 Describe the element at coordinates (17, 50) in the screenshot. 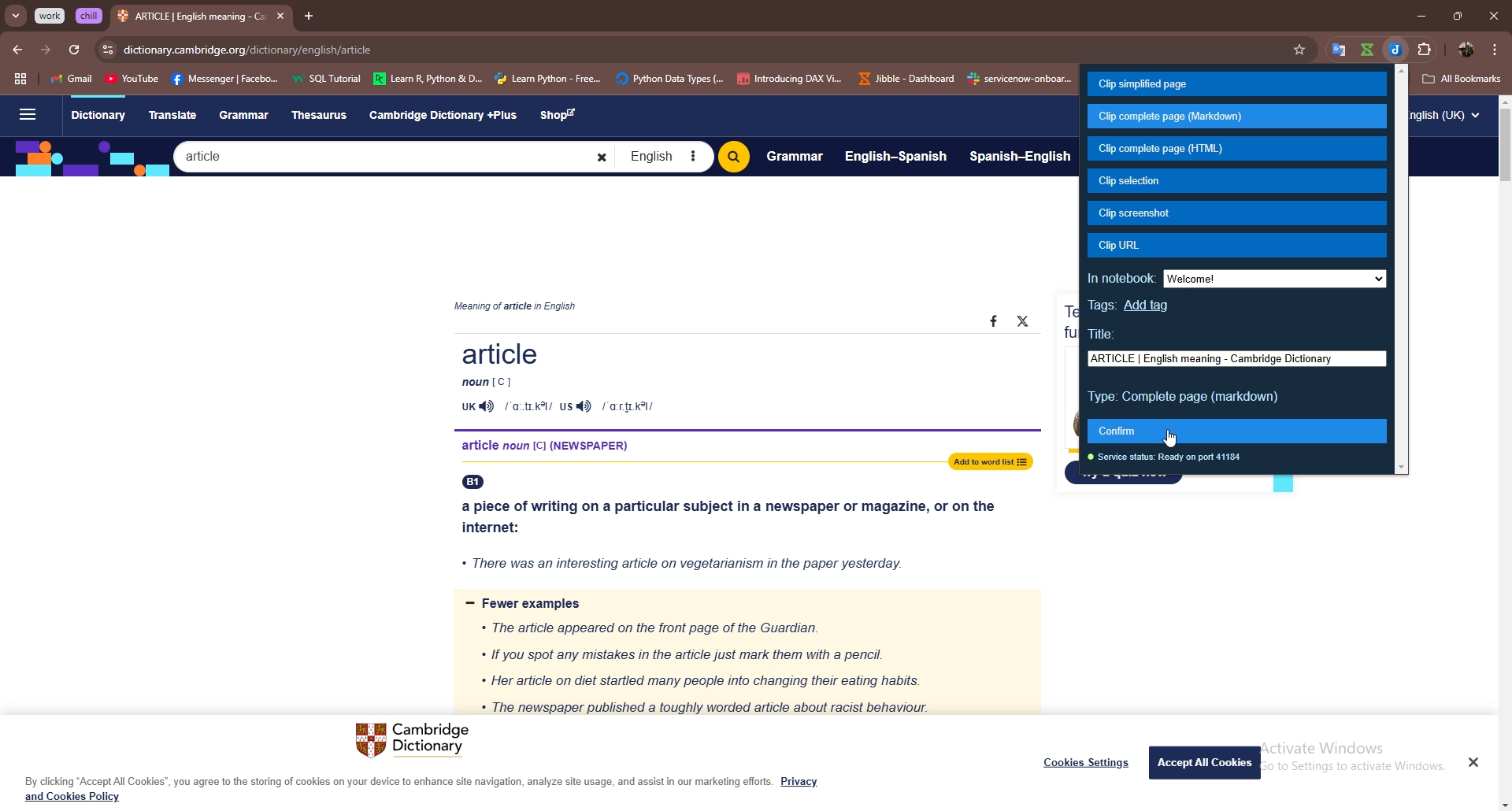

I see `back` at that location.